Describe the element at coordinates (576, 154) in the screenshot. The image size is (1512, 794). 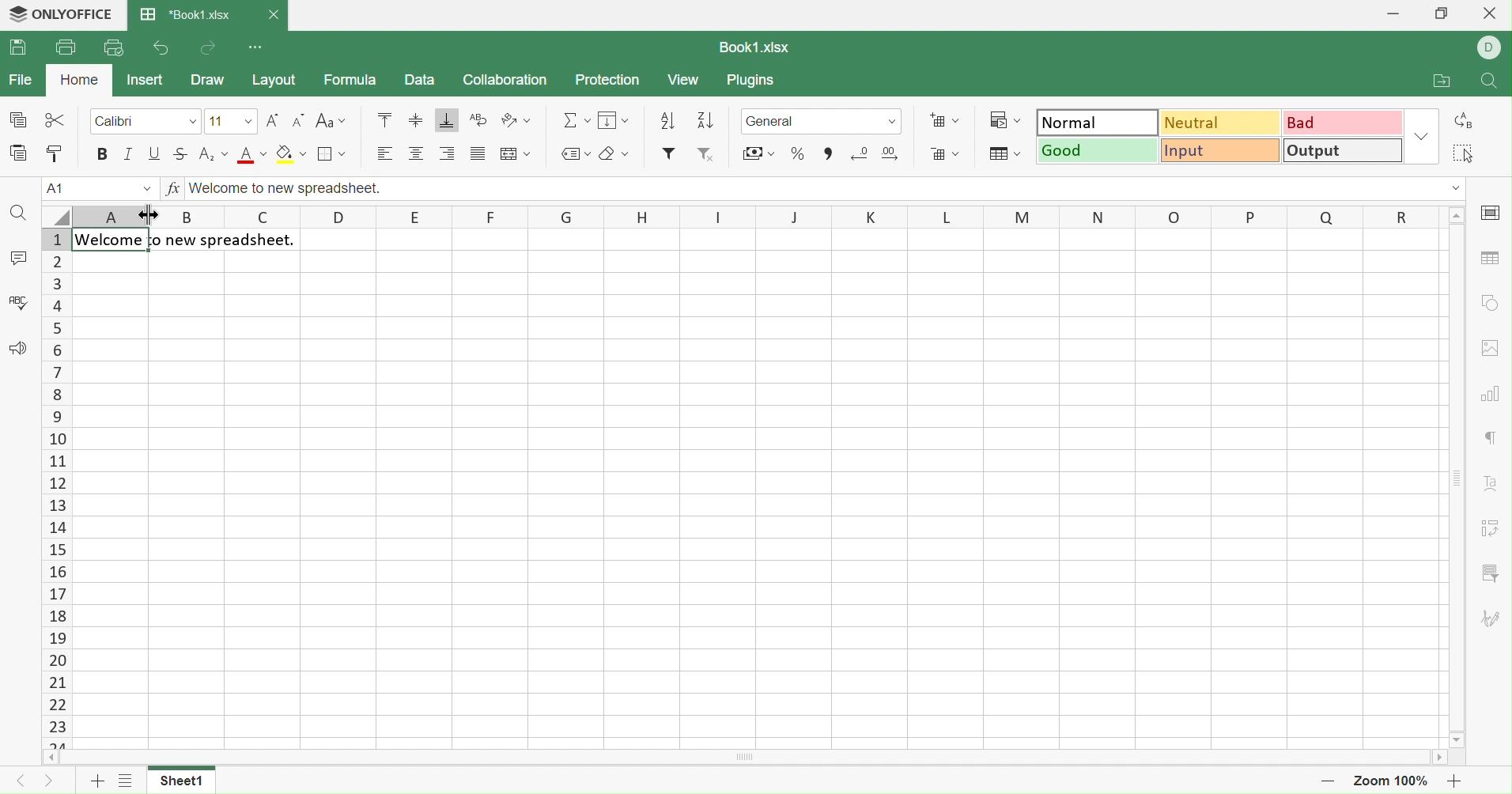
I see `Named ranges` at that location.